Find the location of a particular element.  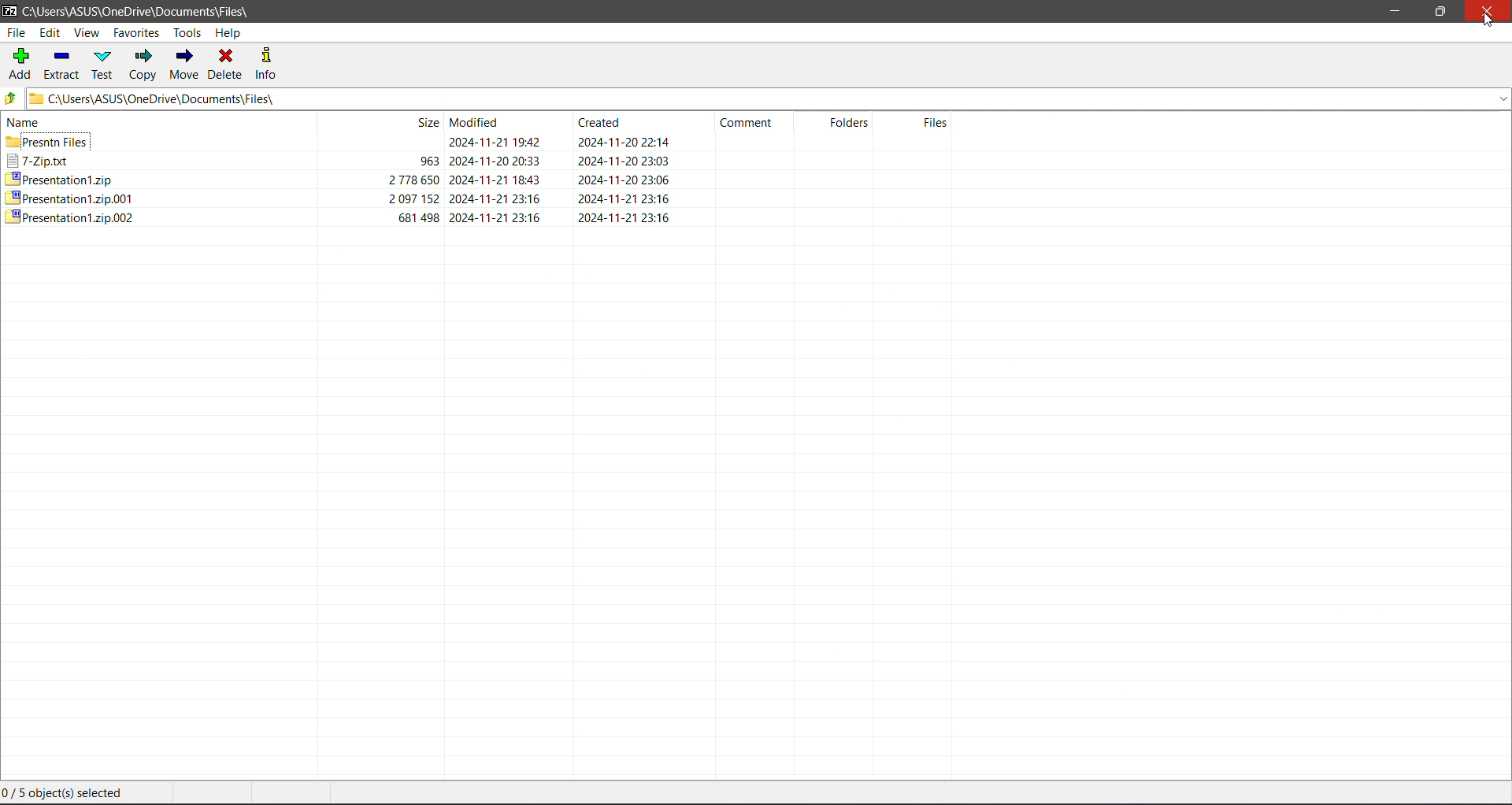

Size is located at coordinates (414, 123).